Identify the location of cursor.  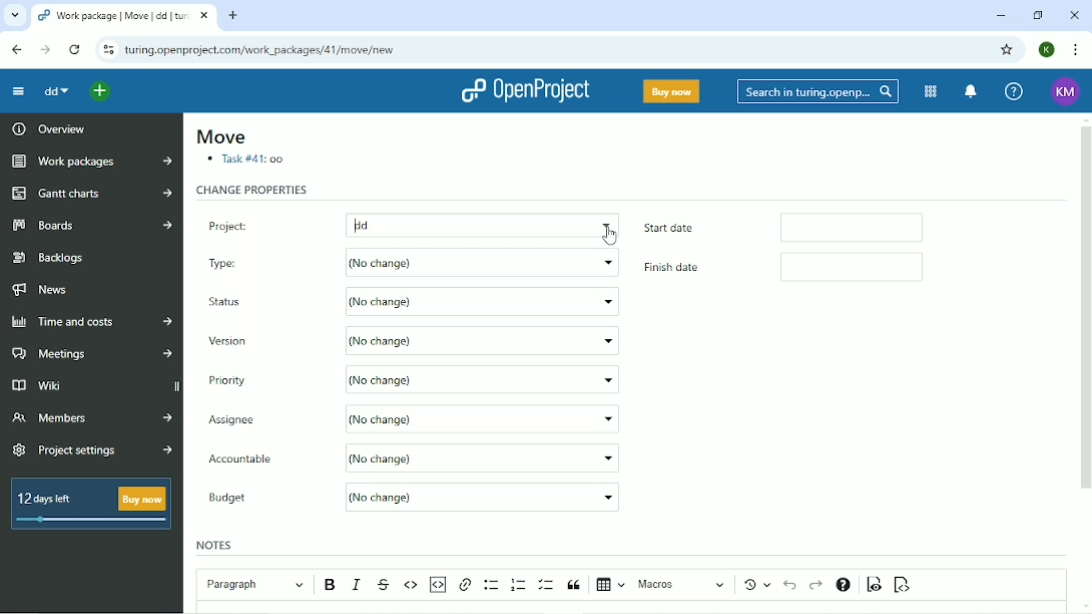
(612, 231).